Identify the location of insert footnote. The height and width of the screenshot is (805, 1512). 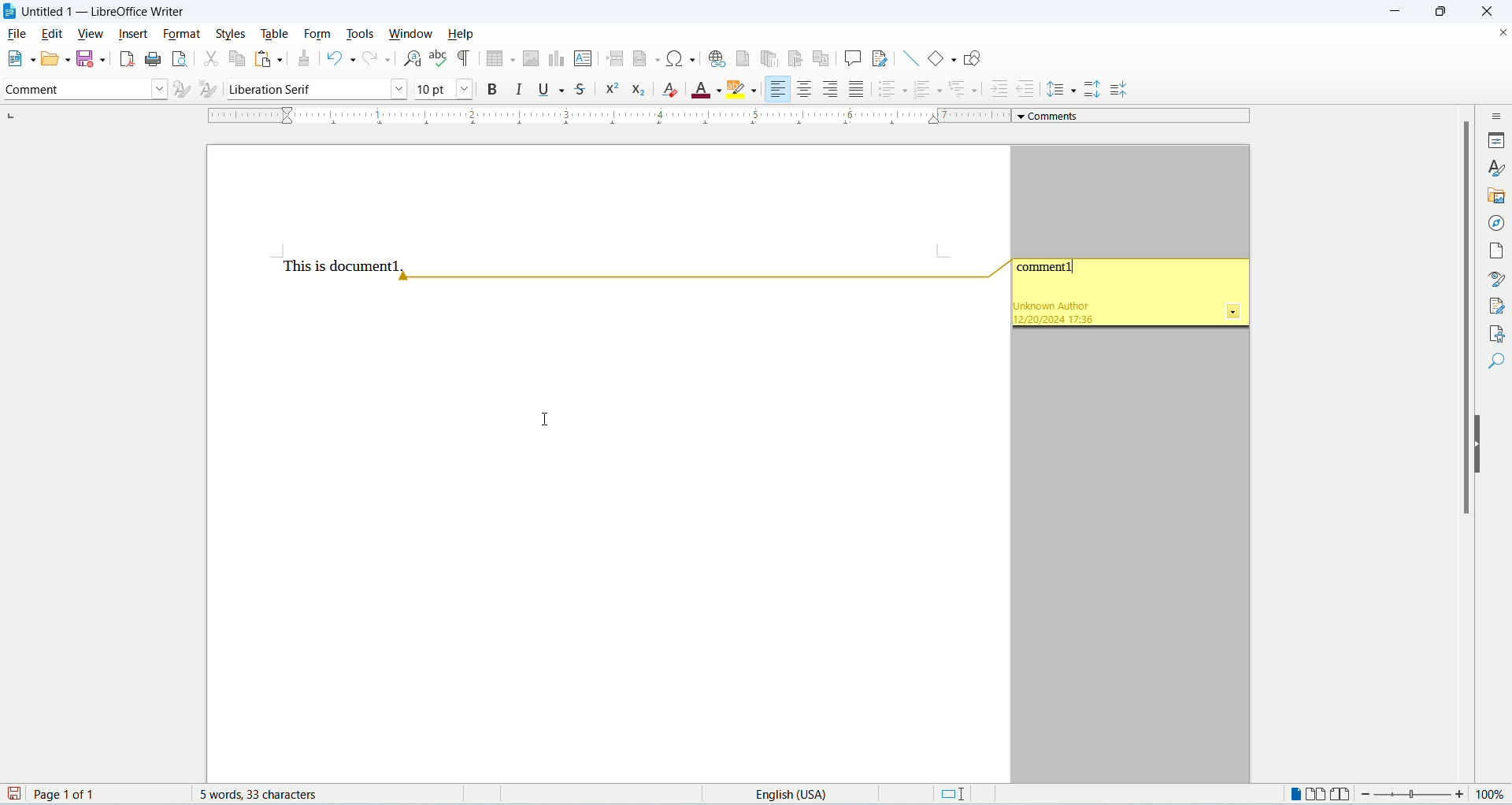
(743, 58).